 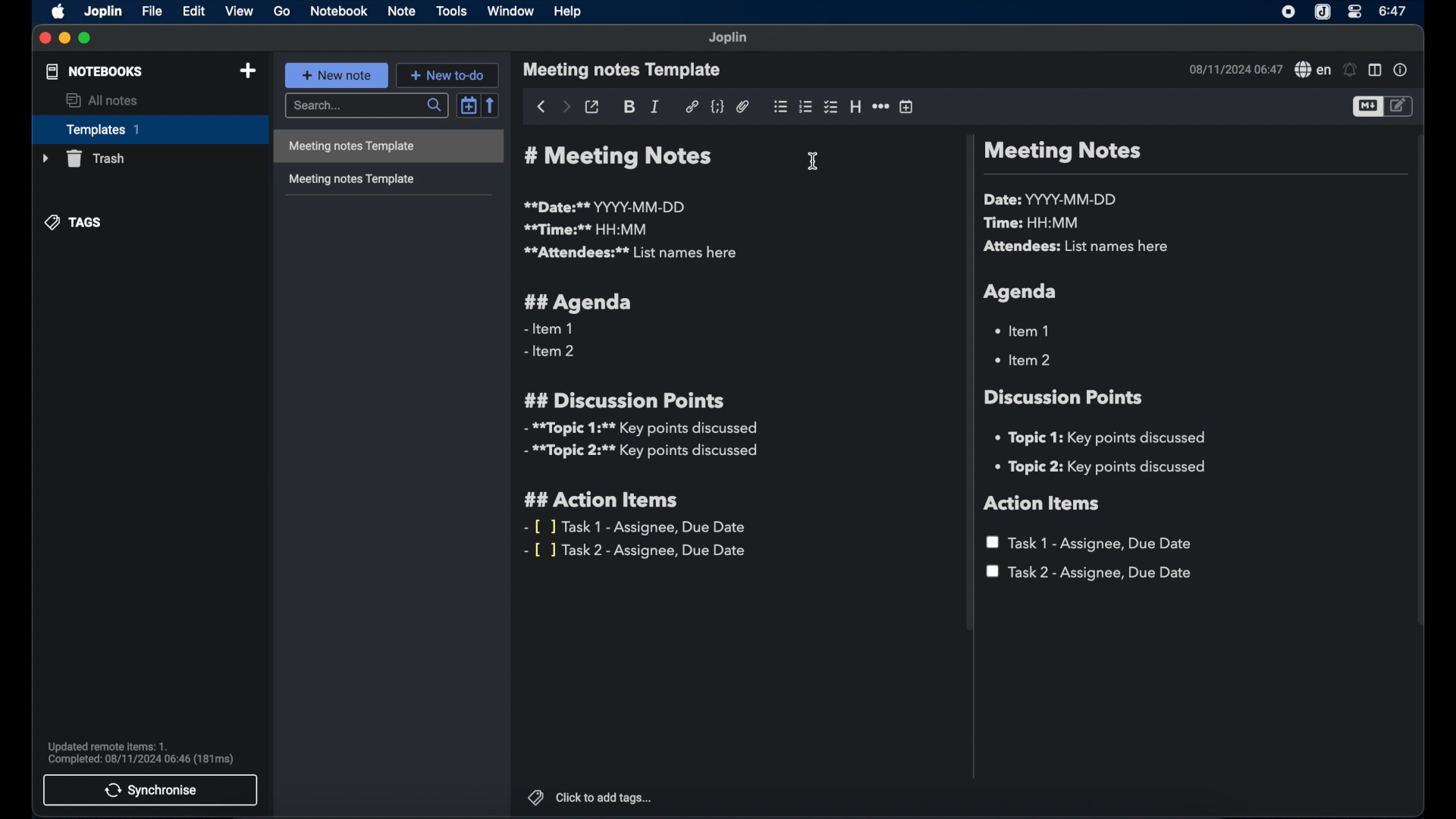 I want to click on - item 1, so click(x=548, y=329).